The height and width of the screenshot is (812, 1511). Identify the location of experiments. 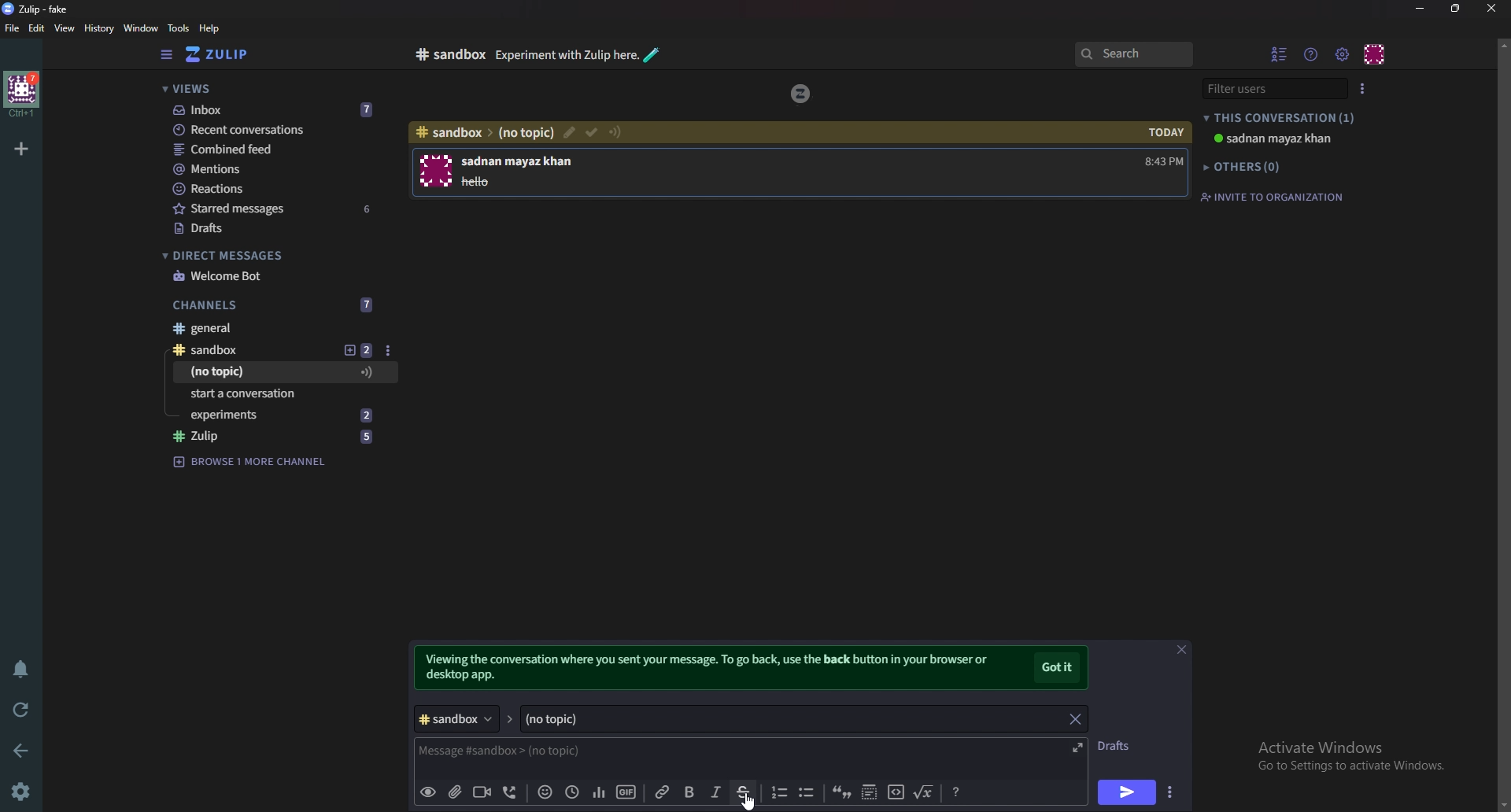
(286, 415).